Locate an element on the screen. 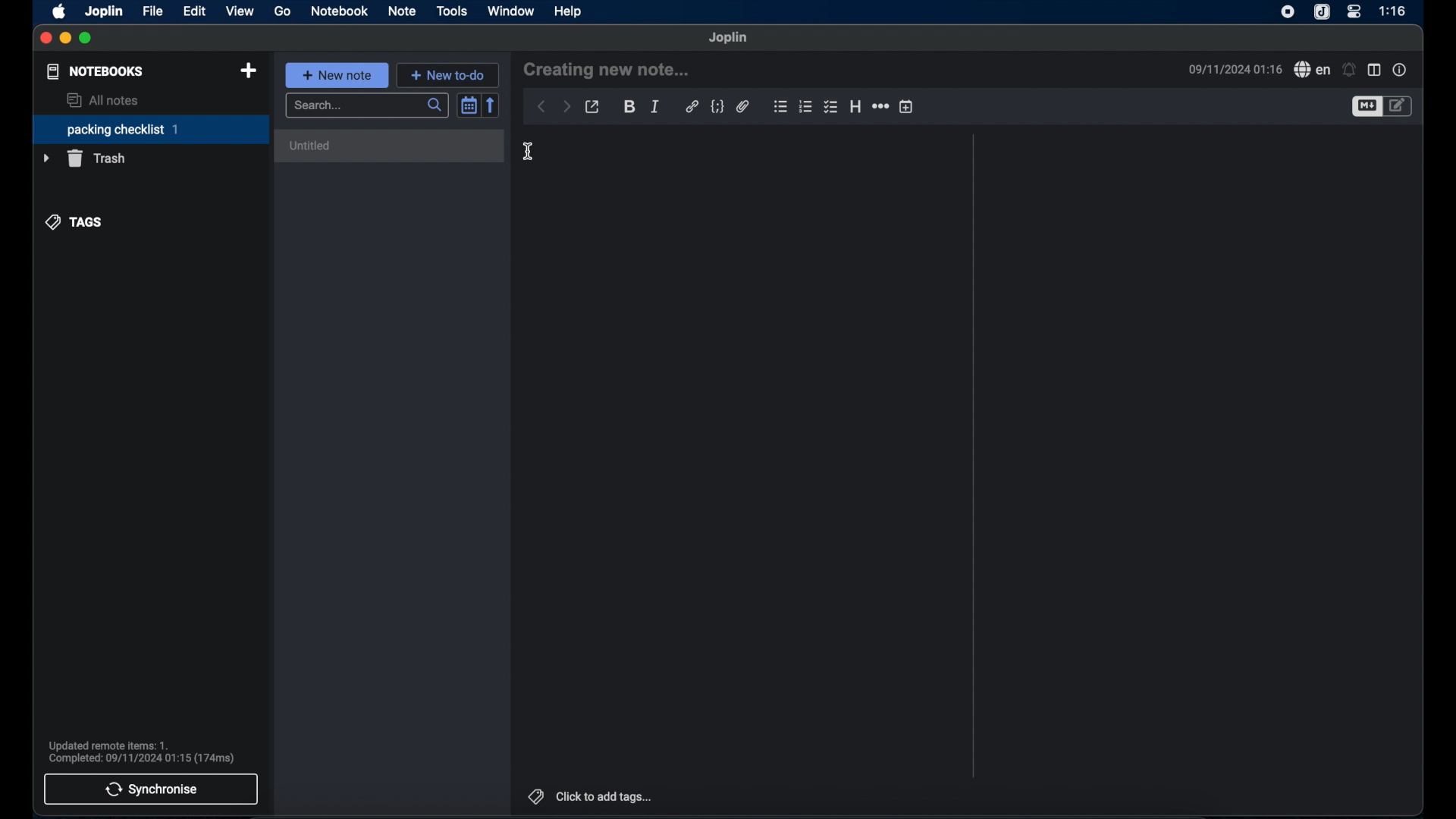  tools is located at coordinates (453, 11).